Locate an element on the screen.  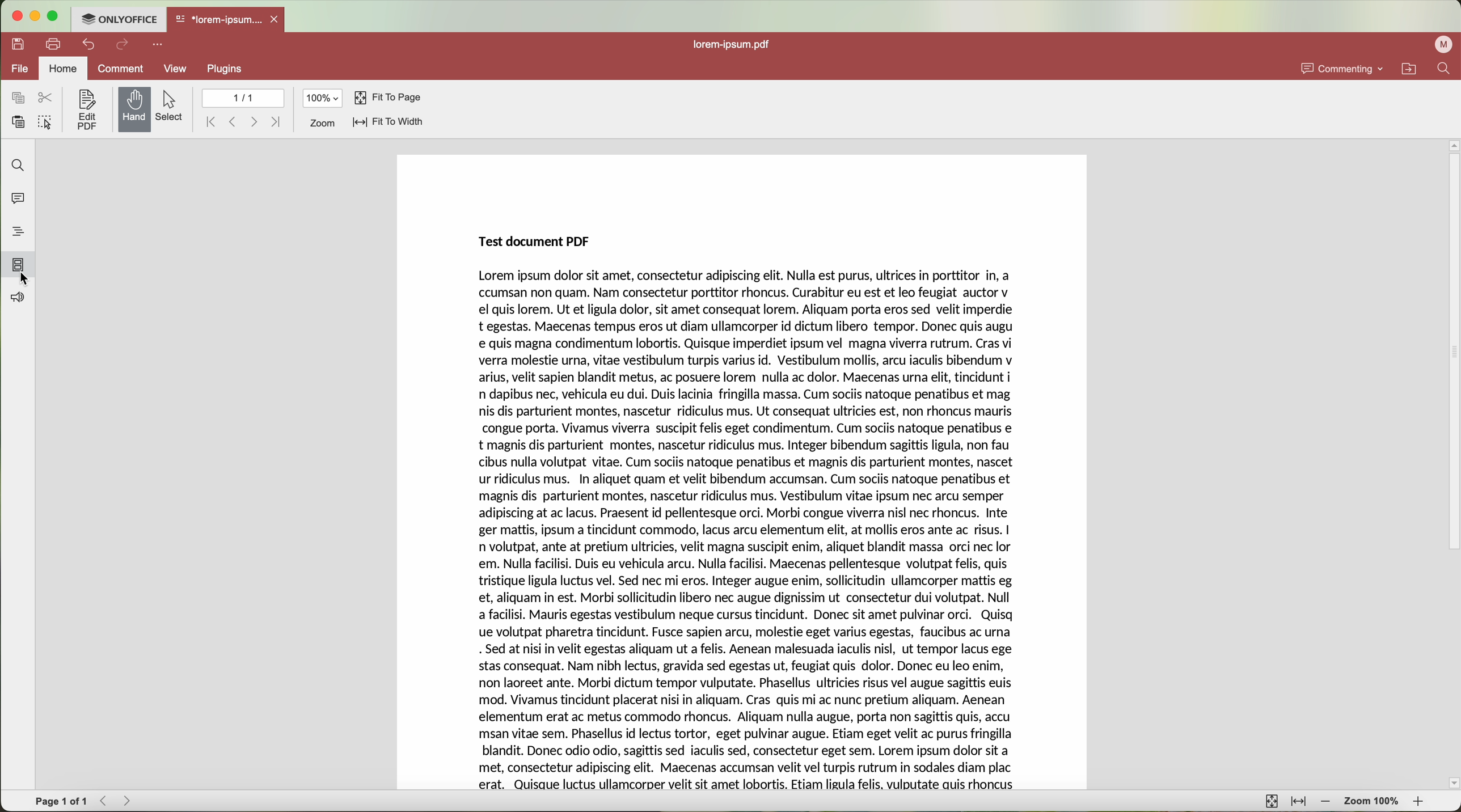
maximize program is located at coordinates (53, 16).